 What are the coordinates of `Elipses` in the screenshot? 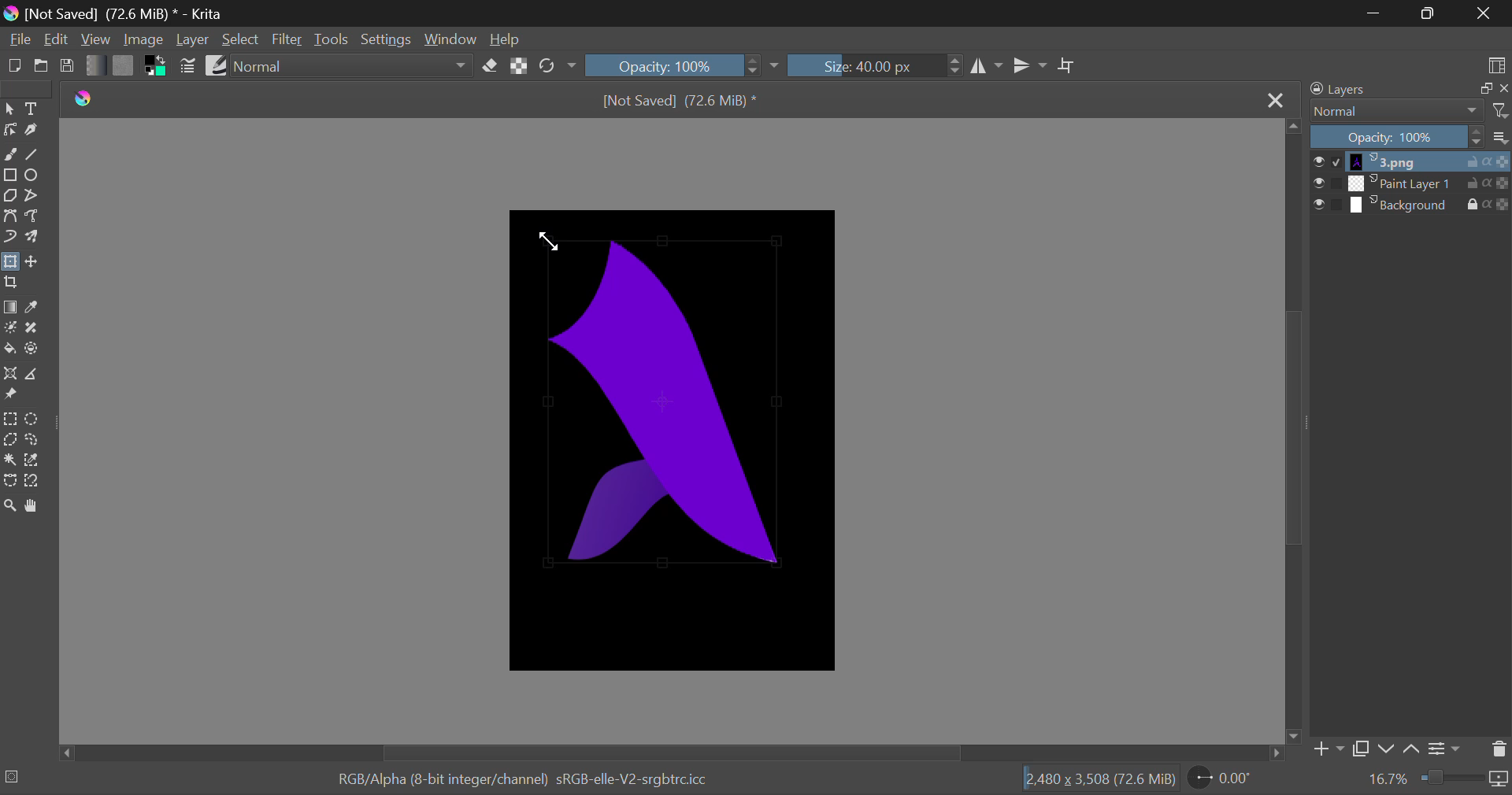 It's located at (37, 176).